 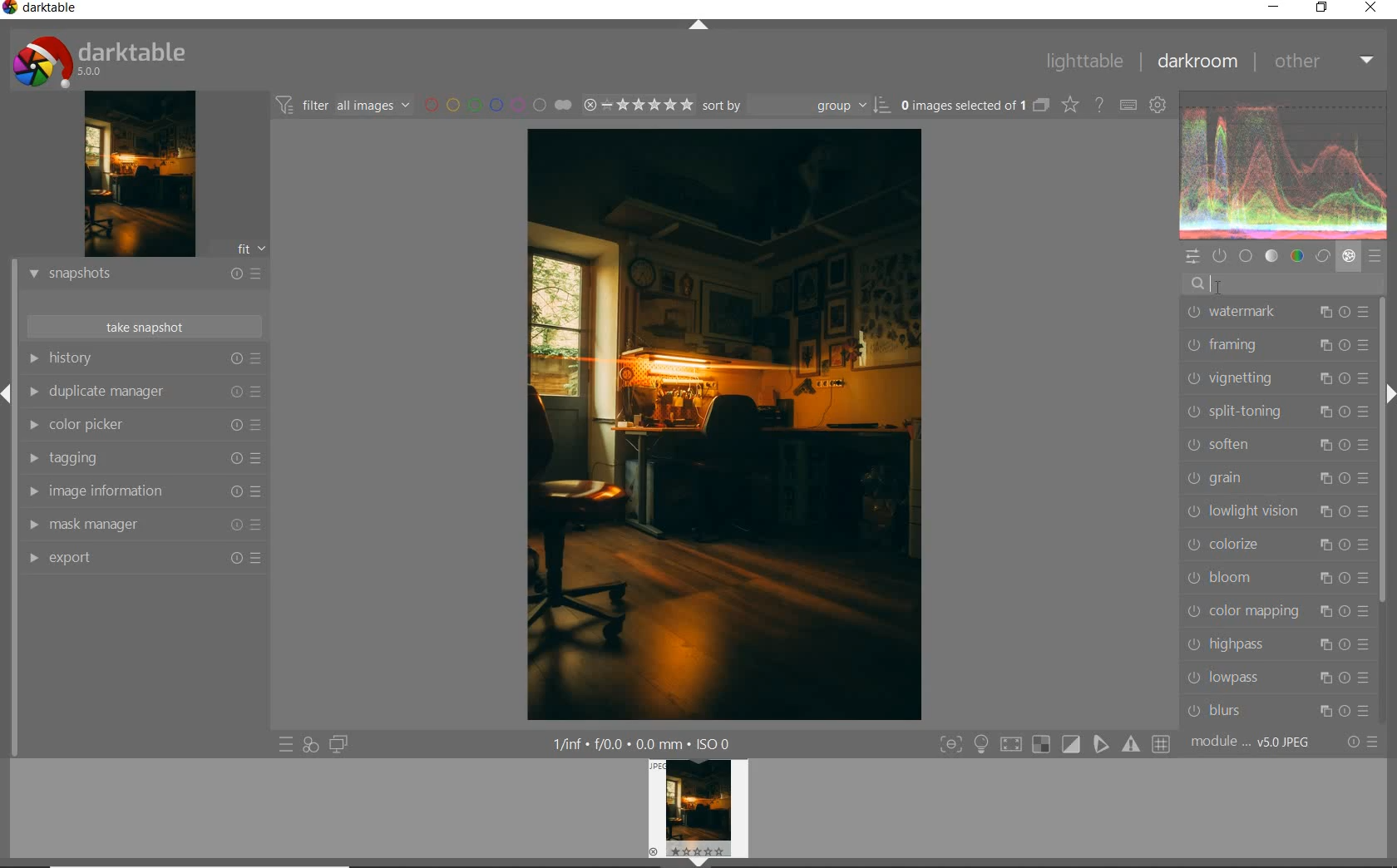 What do you see at coordinates (1071, 106) in the screenshot?
I see `change overlays shown on thumbnails` at bounding box center [1071, 106].